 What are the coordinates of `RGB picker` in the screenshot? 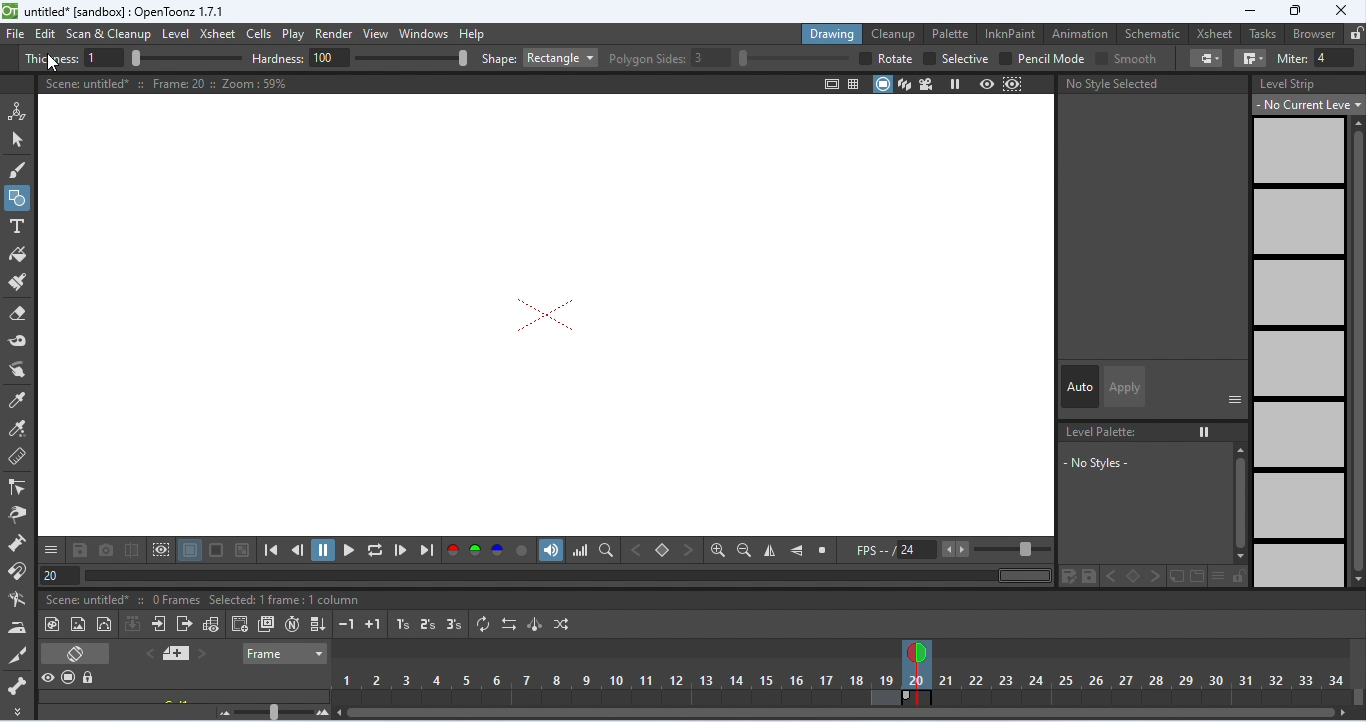 It's located at (19, 427).